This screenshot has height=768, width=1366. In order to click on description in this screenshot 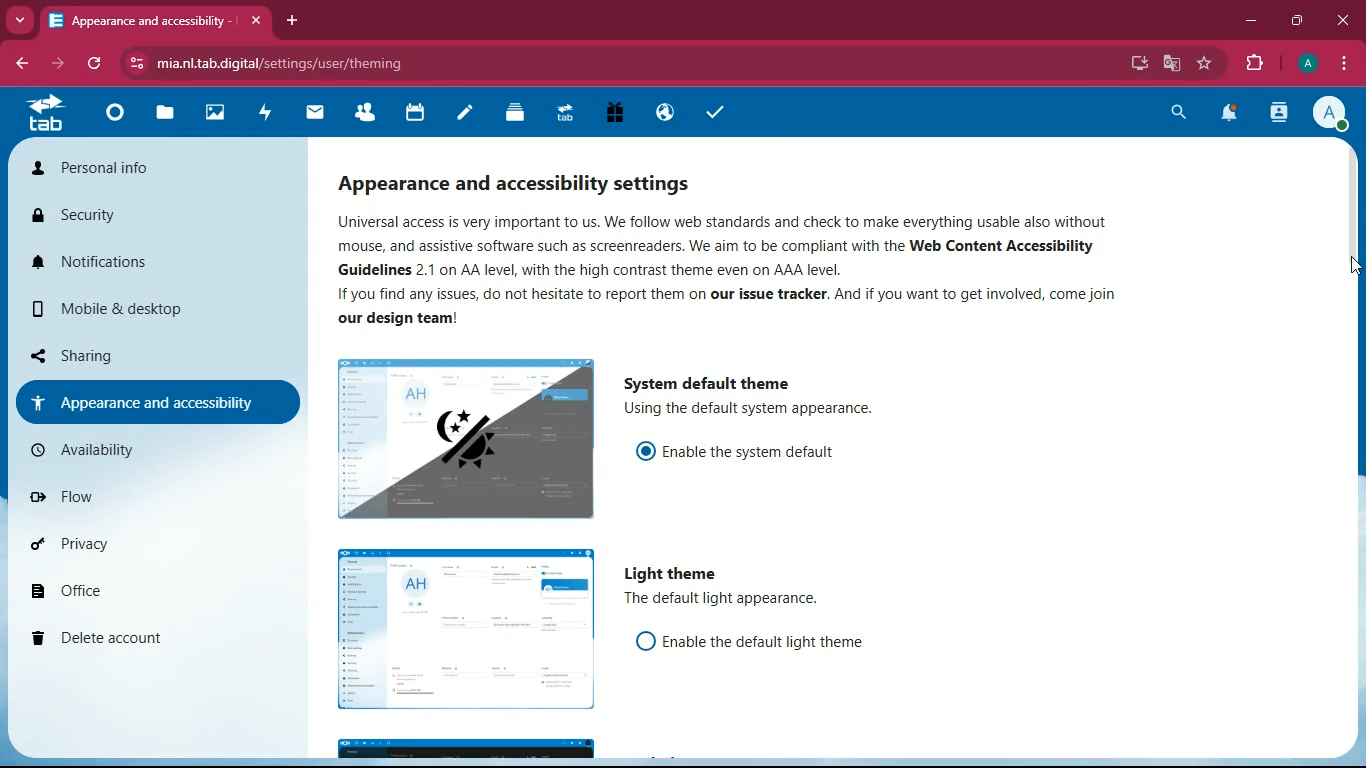, I will do `click(727, 600)`.